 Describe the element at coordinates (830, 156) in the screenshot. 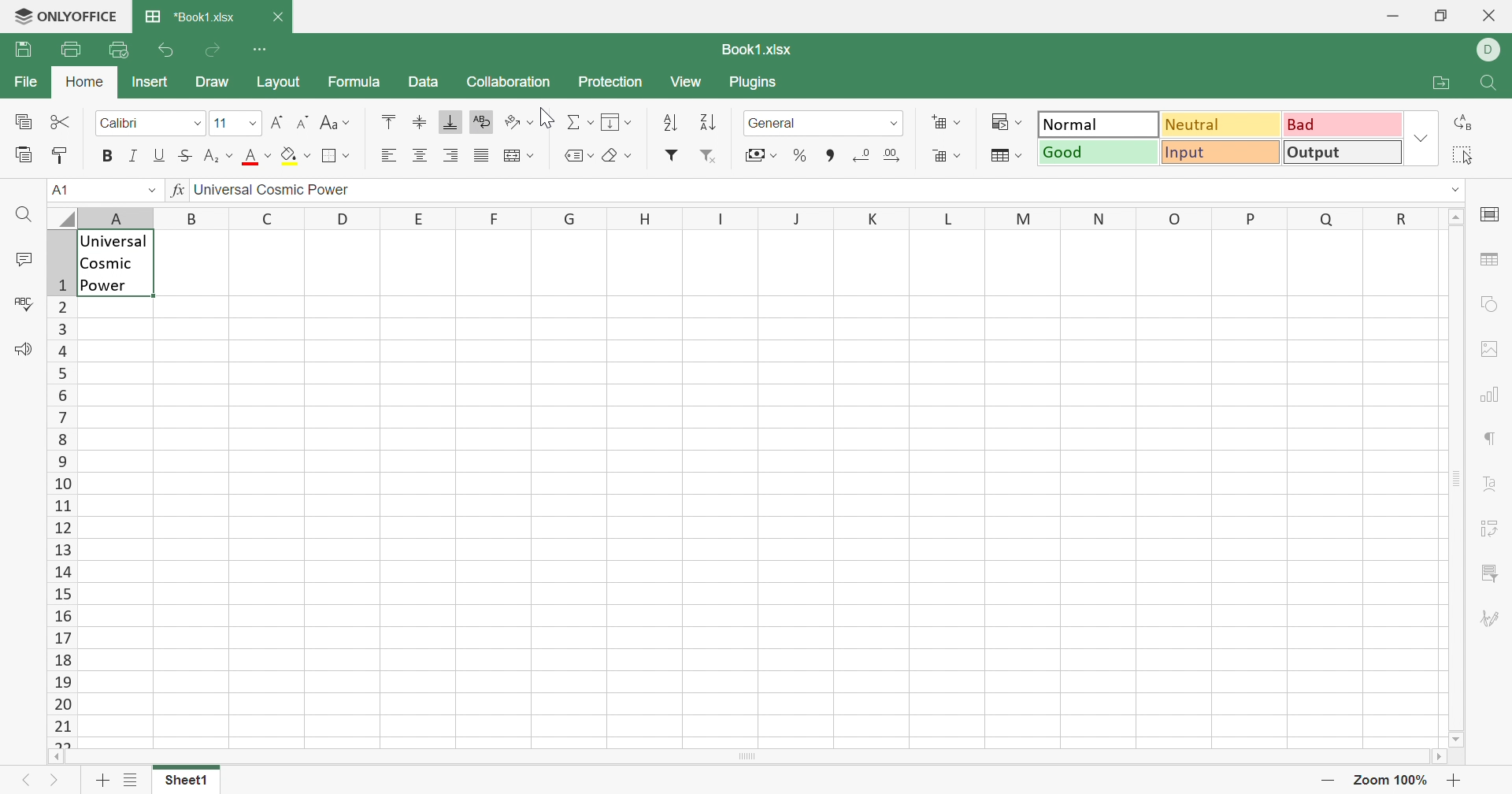

I see `Comma style` at that location.